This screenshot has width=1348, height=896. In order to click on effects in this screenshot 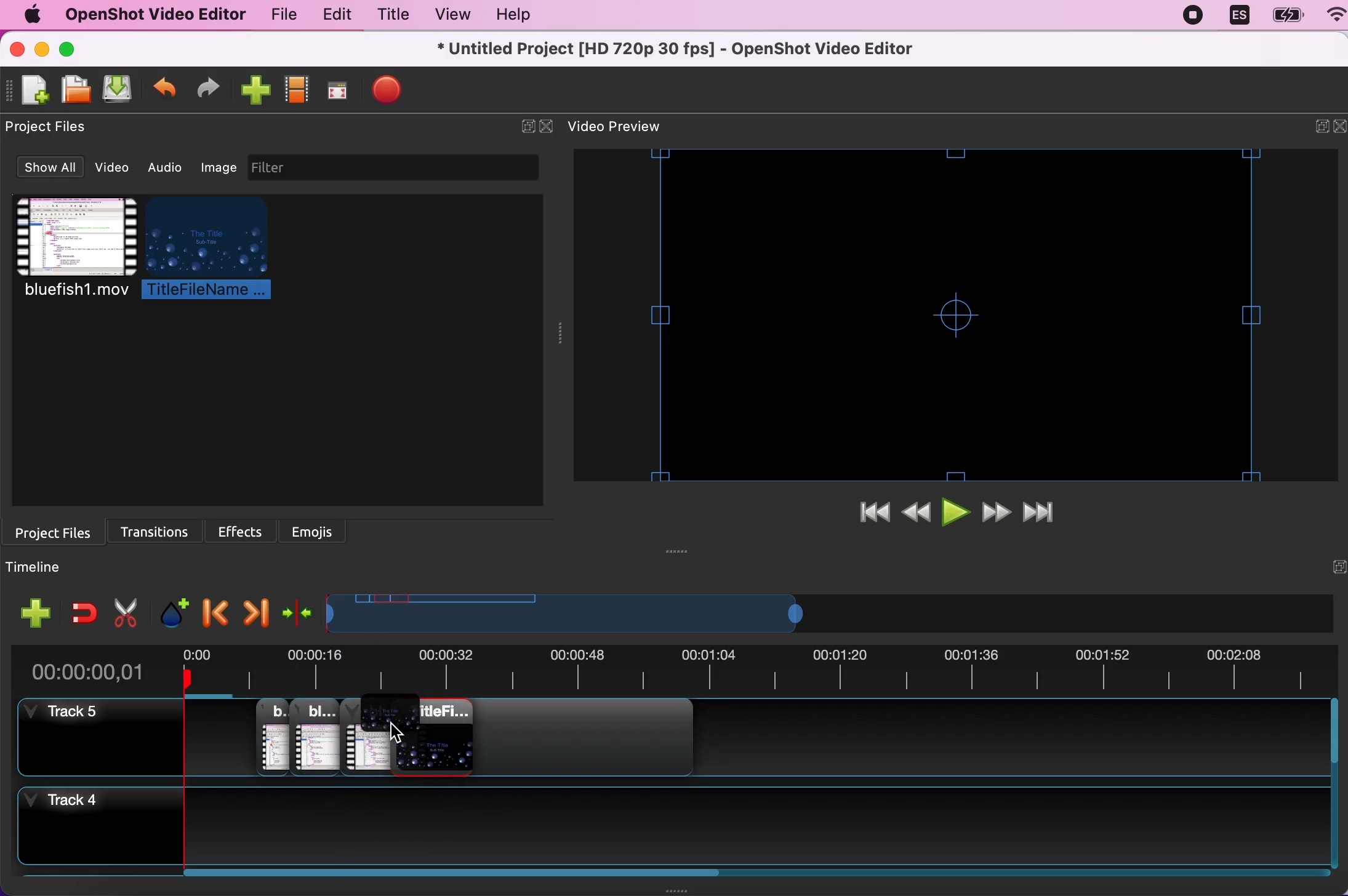, I will do `click(245, 529)`.